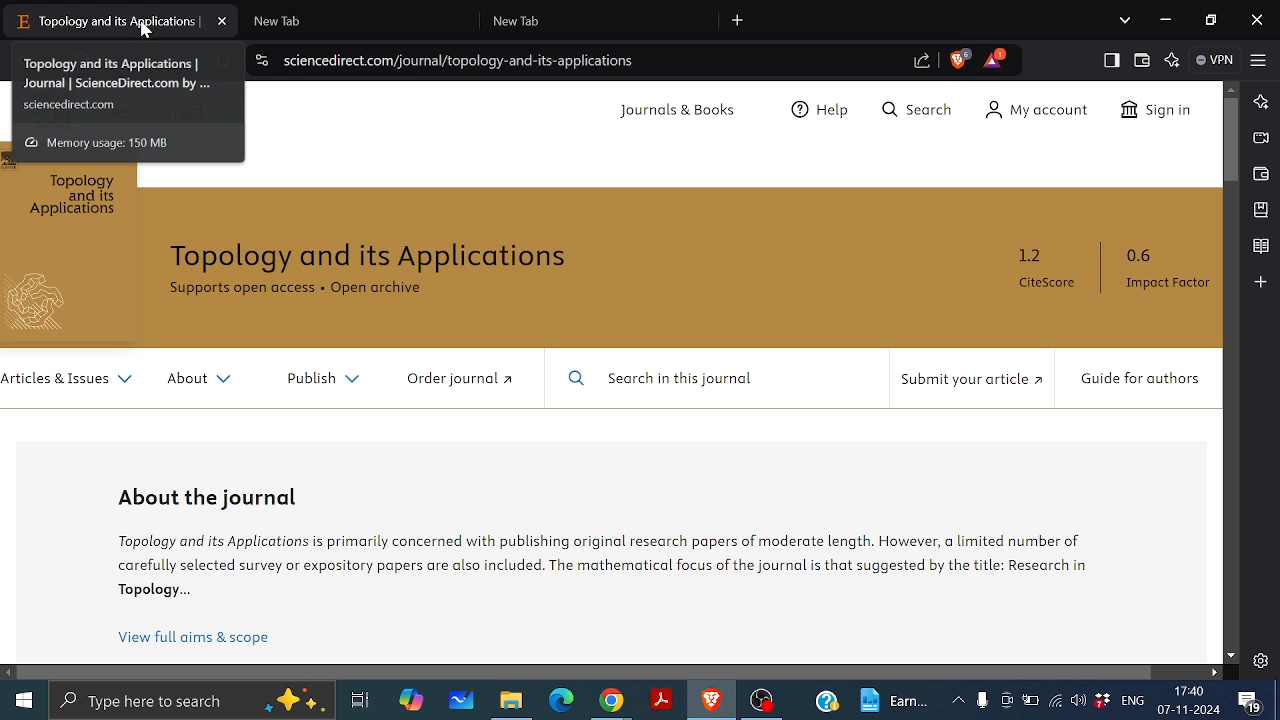 Image resolution: width=1280 pixels, height=720 pixels. I want to click on VPN, so click(1214, 60).